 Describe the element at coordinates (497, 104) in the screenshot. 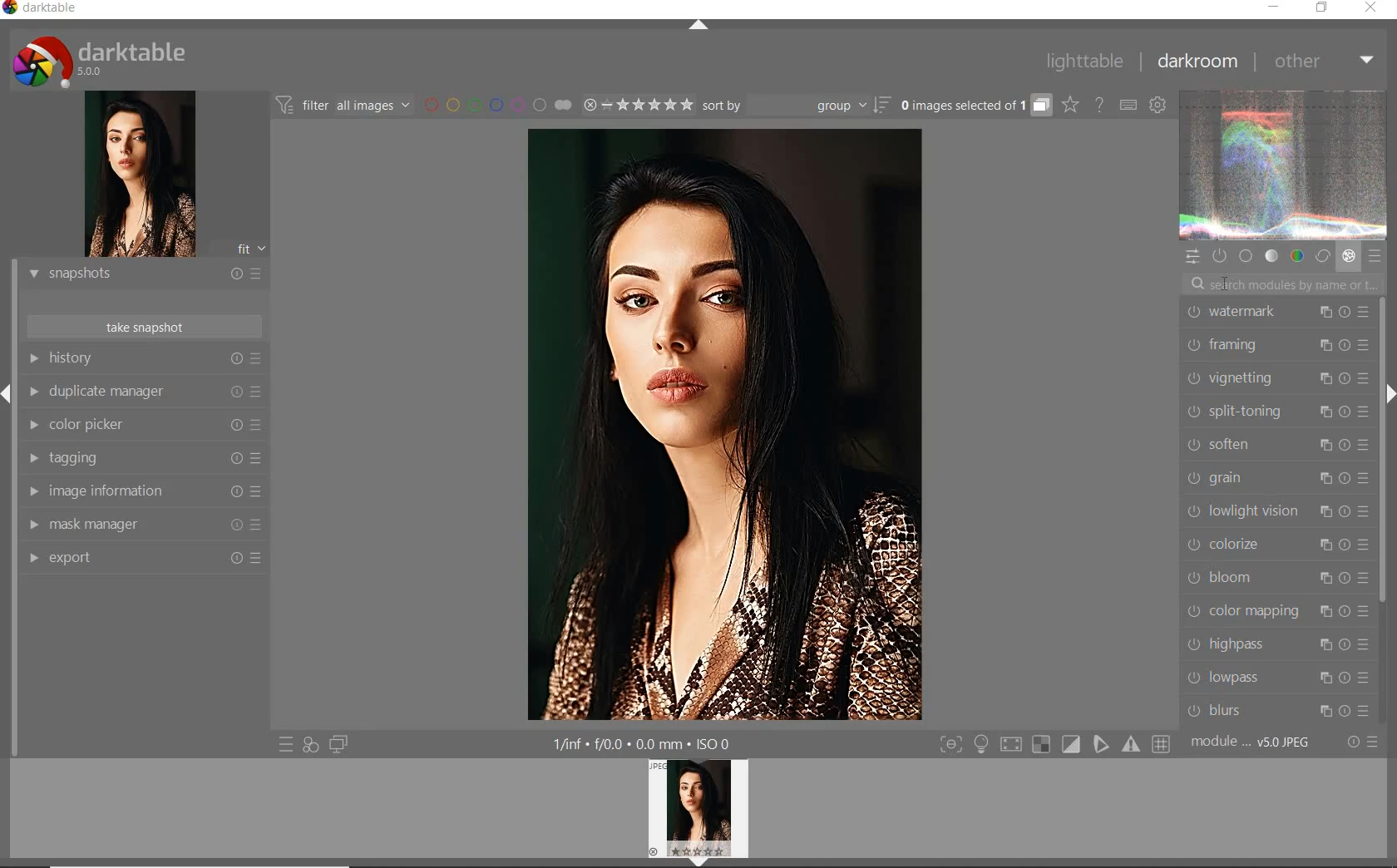

I see `filter by image color` at that location.